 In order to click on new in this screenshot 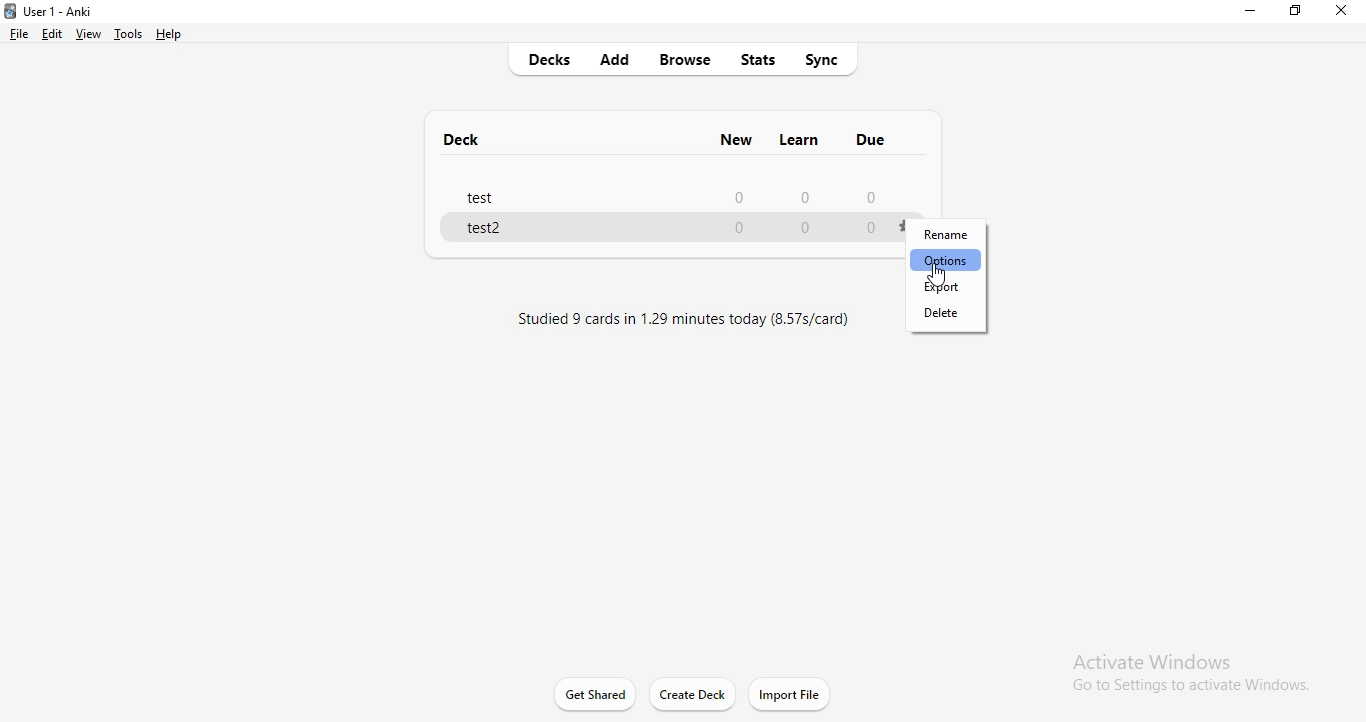, I will do `click(735, 141)`.